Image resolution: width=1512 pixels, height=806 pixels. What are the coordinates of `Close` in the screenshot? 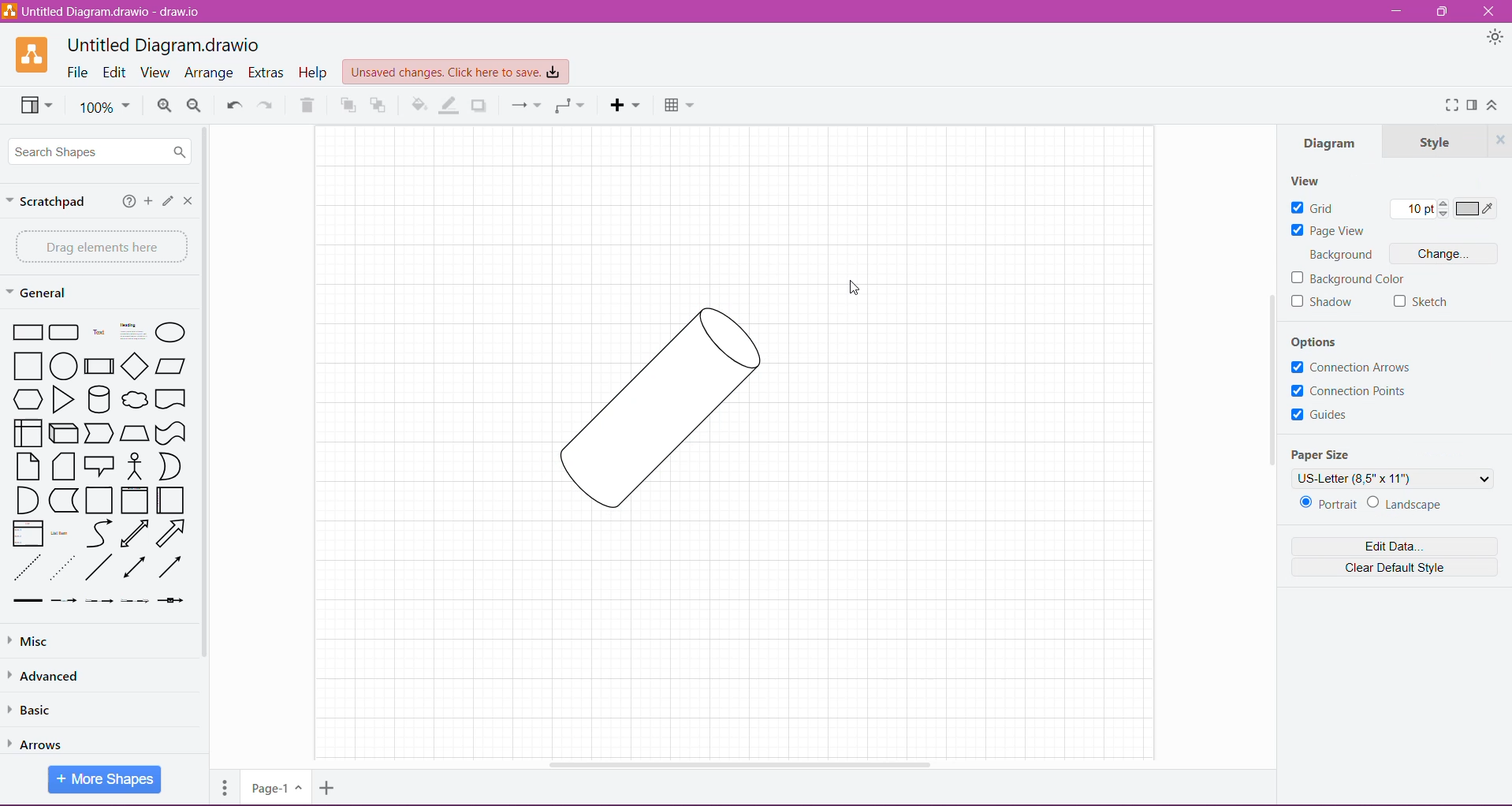 It's located at (1499, 140).